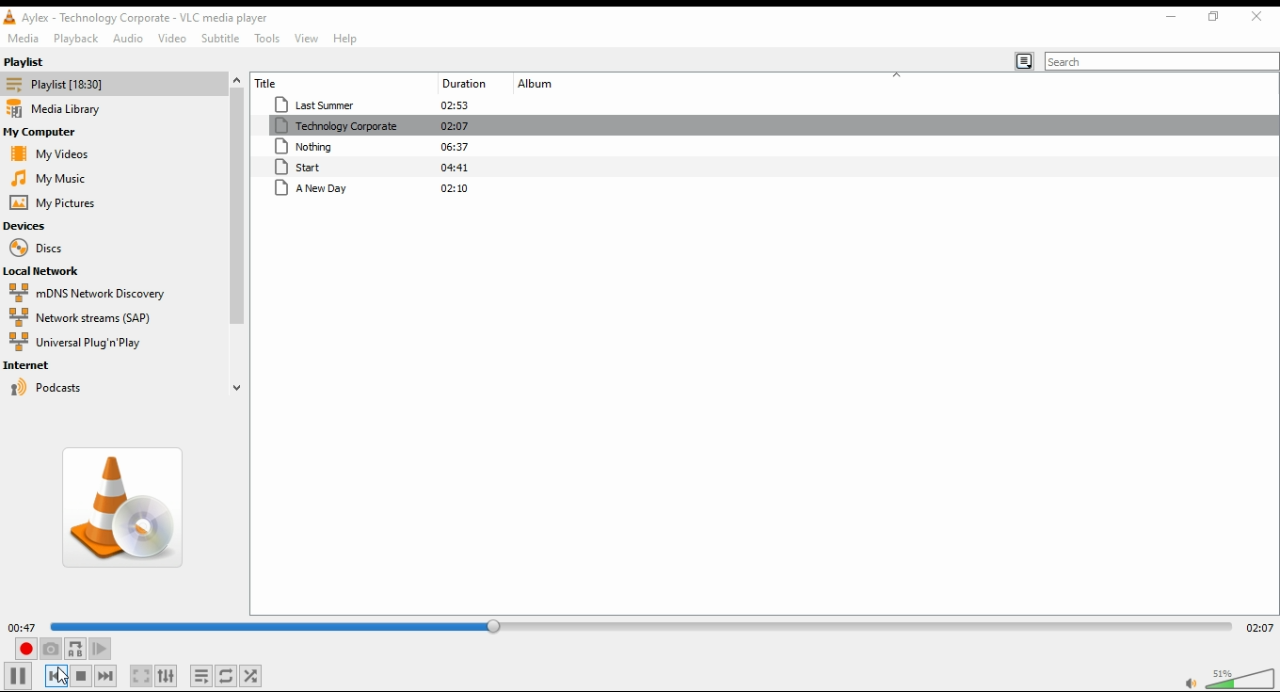 The width and height of the screenshot is (1280, 692). What do you see at coordinates (1259, 628) in the screenshot?
I see `02:07` at bounding box center [1259, 628].